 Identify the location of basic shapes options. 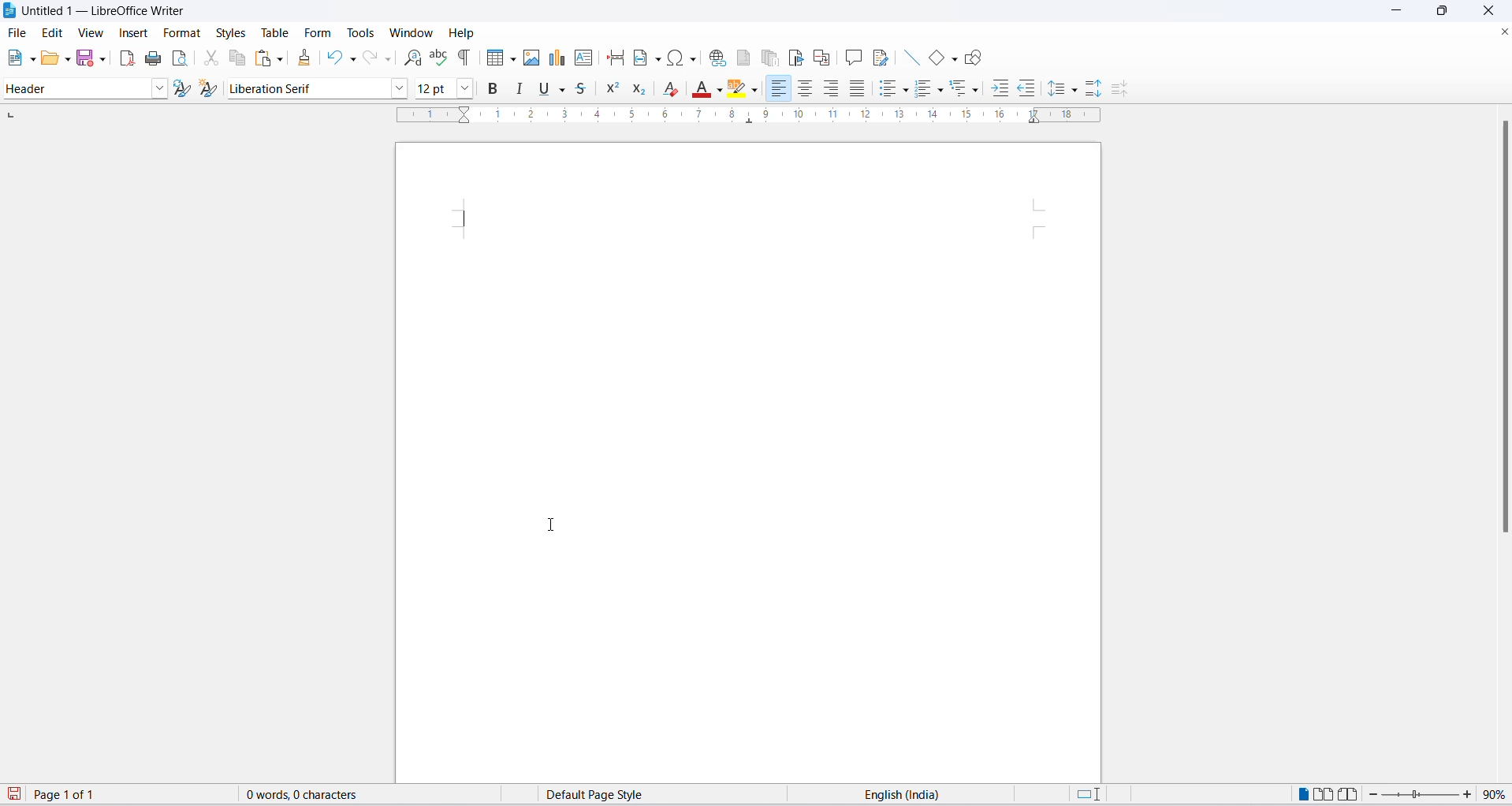
(953, 60).